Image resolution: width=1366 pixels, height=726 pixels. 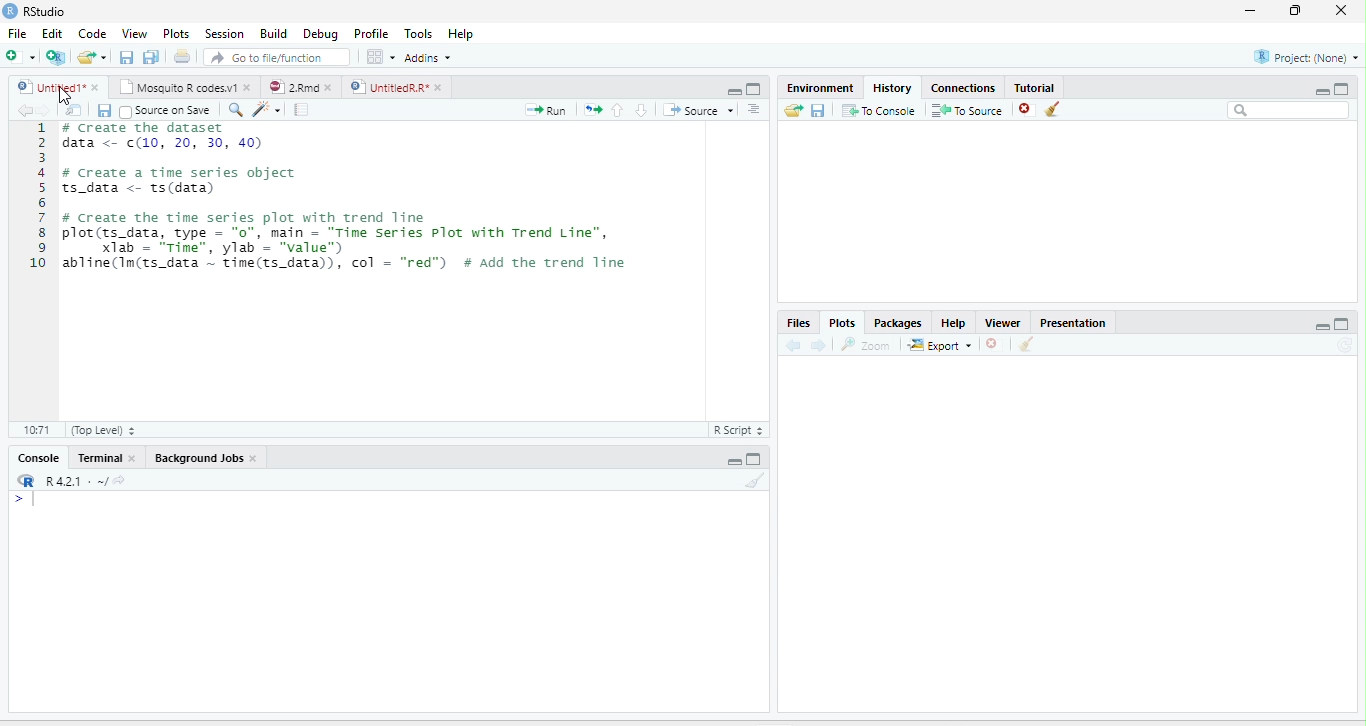 What do you see at coordinates (1003, 322) in the screenshot?
I see `Viewer` at bounding box center [1003, 322].